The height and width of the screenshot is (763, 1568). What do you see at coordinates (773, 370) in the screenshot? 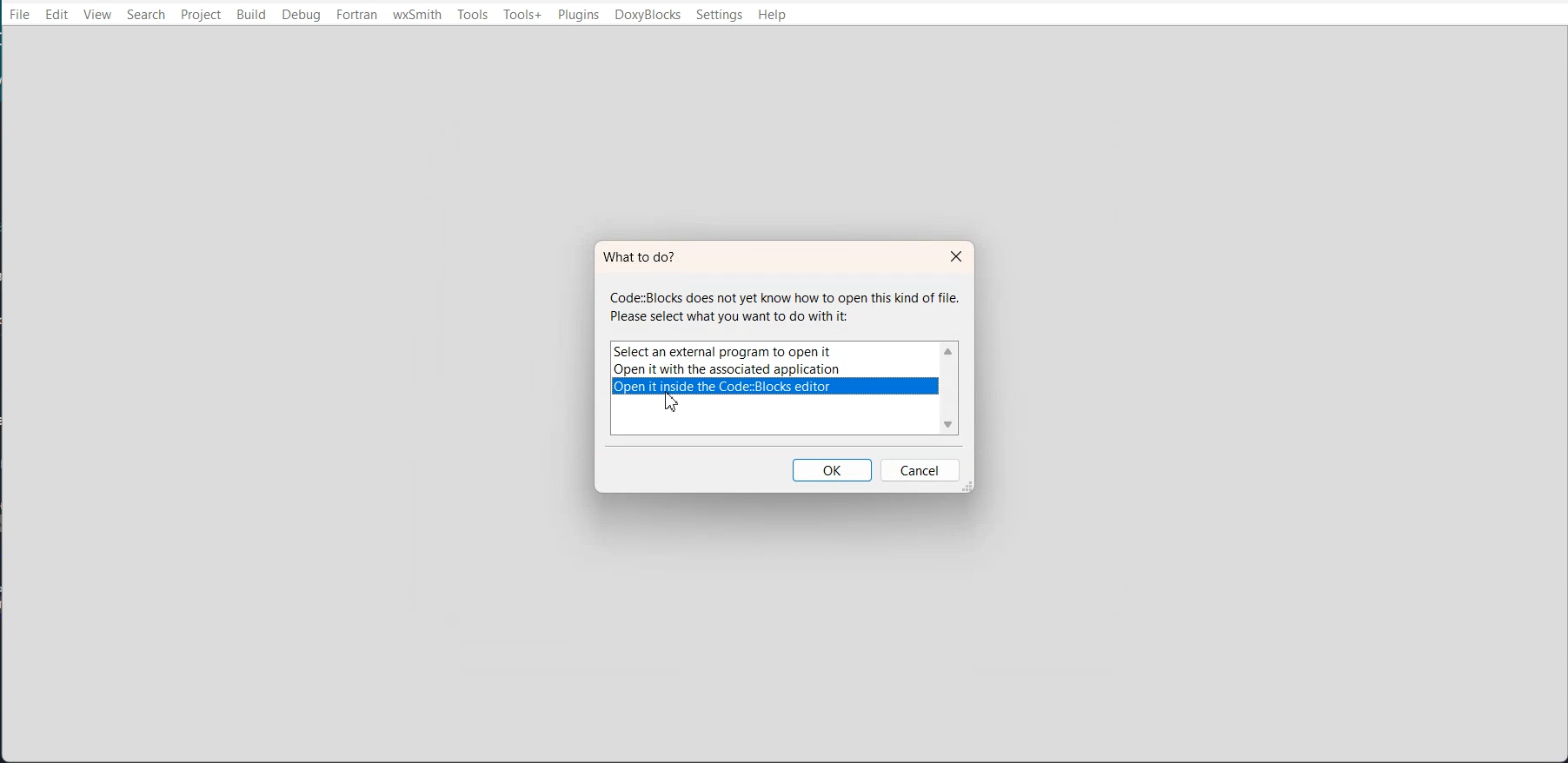
I see `Open it with the associated applications` at bounding box center [773, 370].